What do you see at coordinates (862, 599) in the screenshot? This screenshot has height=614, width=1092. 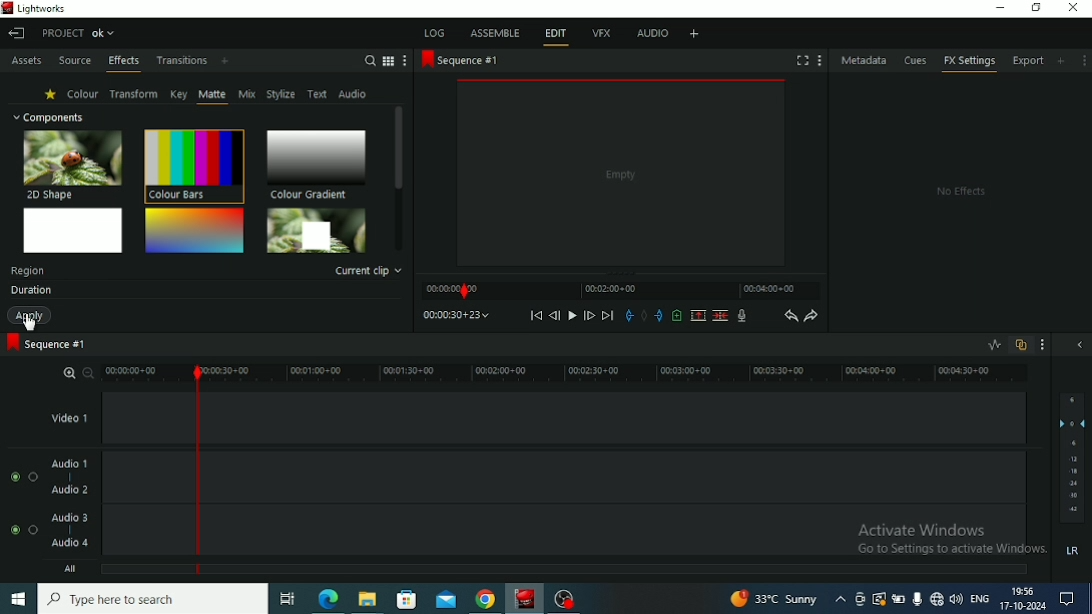 I see `video recorder` at bounding box center [862, 599].